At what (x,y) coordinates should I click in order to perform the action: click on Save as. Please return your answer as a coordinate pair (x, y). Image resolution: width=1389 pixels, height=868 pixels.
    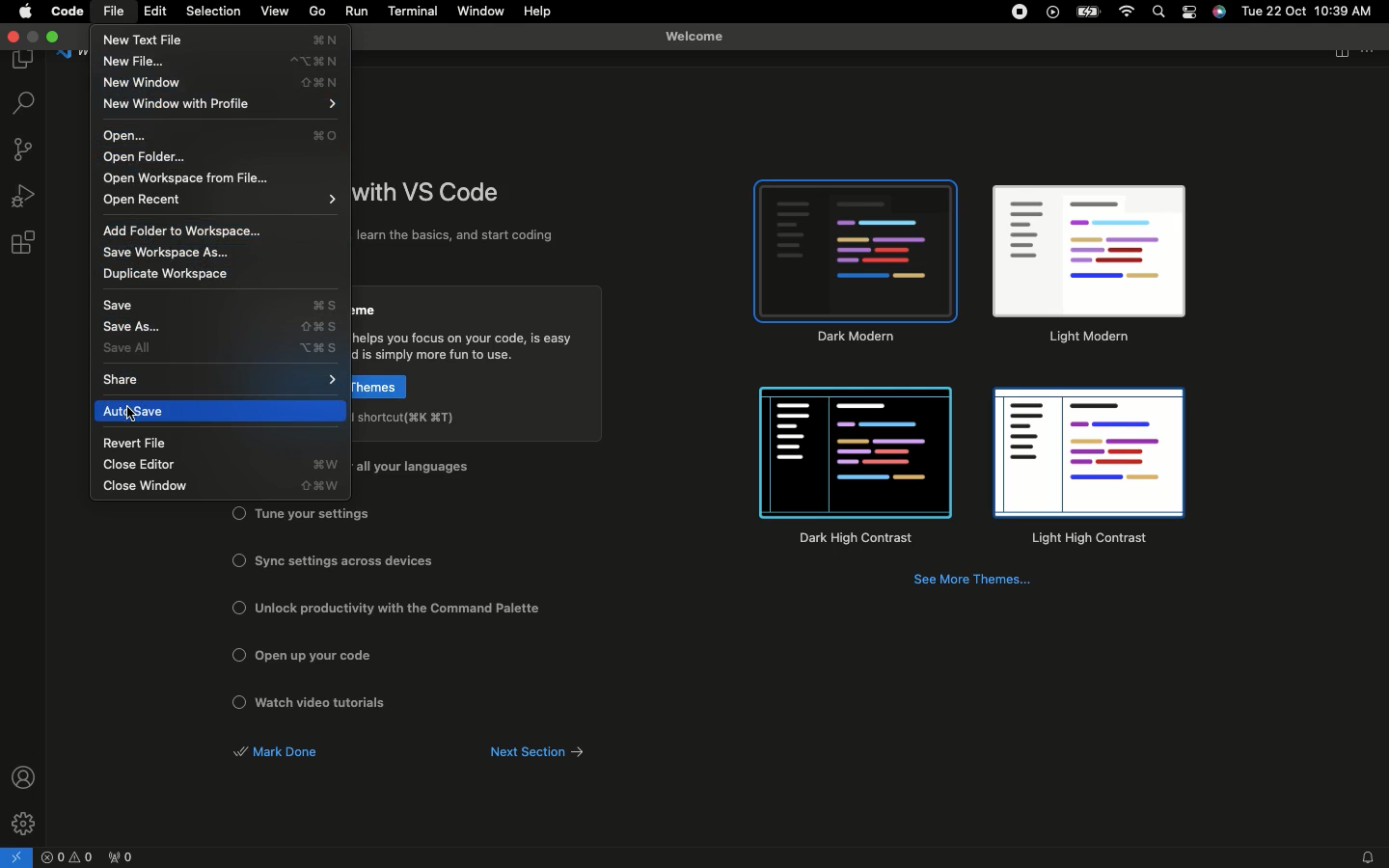
    Looking at the image, I should click on (223, 328).